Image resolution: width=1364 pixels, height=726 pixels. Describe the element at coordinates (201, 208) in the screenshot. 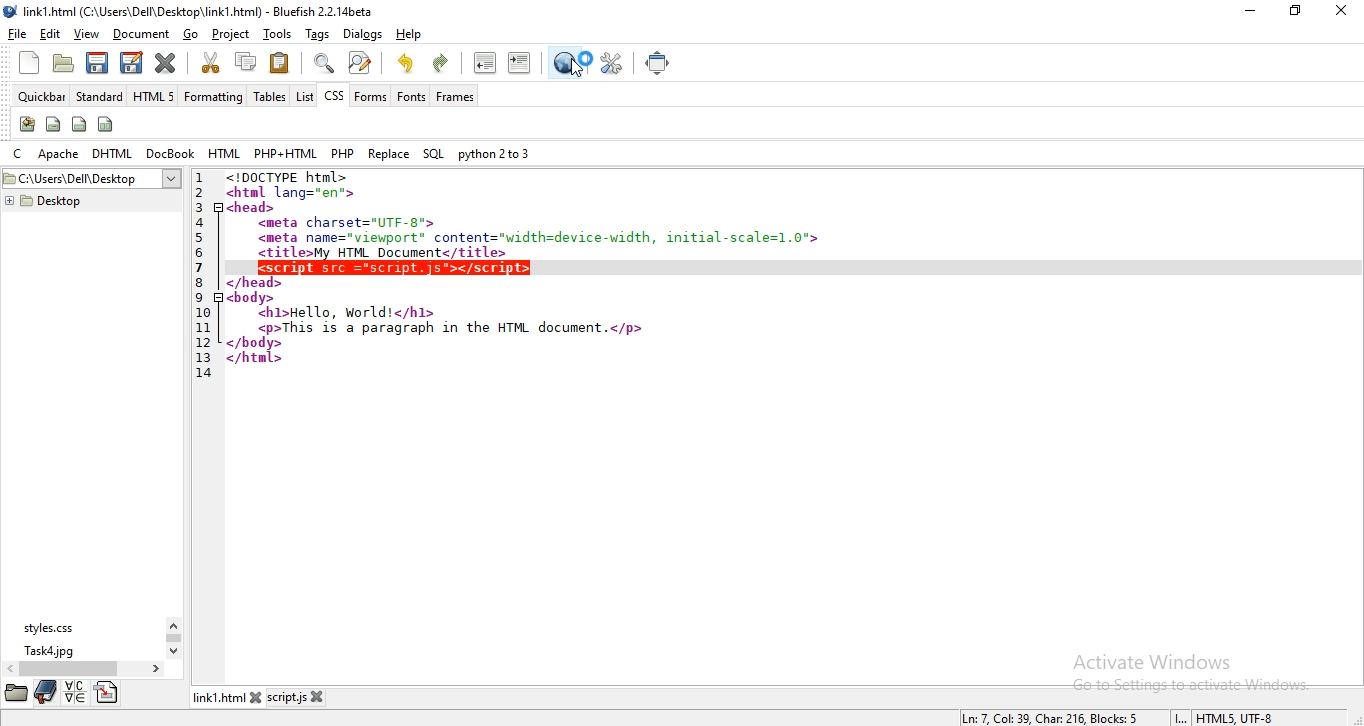

I see `3` at that location.